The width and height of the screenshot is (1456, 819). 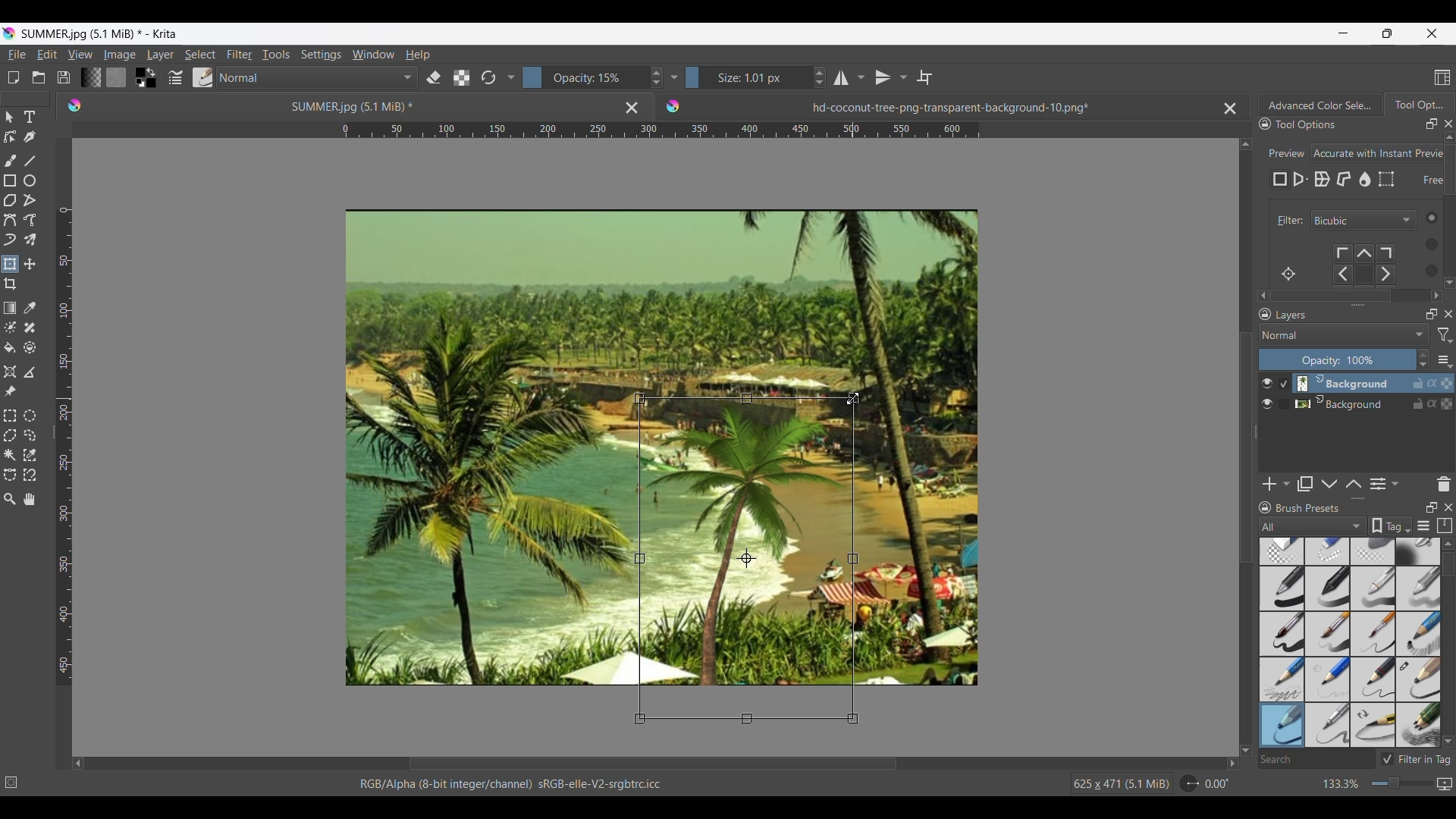 I want to click on Preview, so click(x=1284, y=149).